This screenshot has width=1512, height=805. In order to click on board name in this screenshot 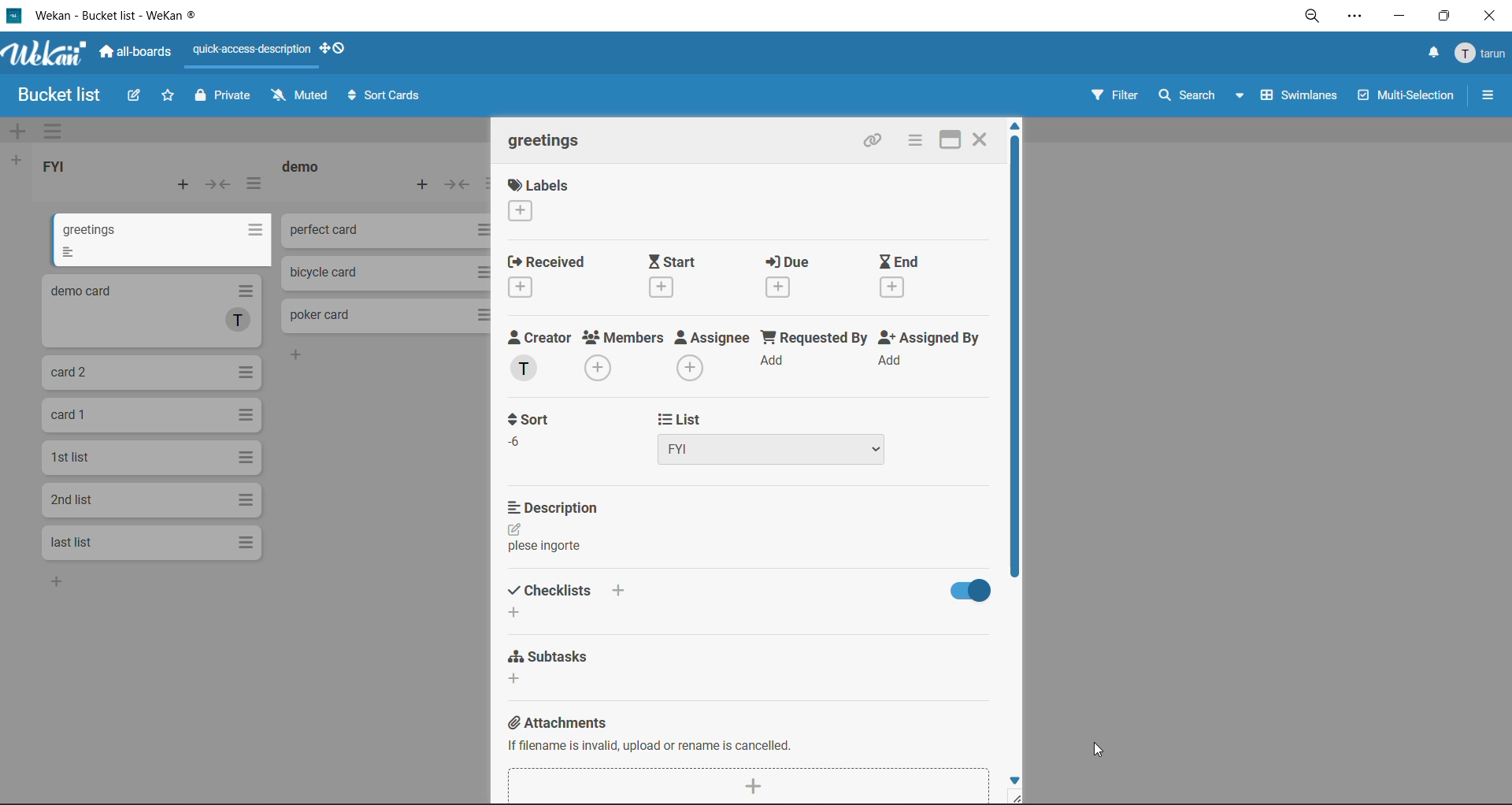, I will do `click(61, 95)`.